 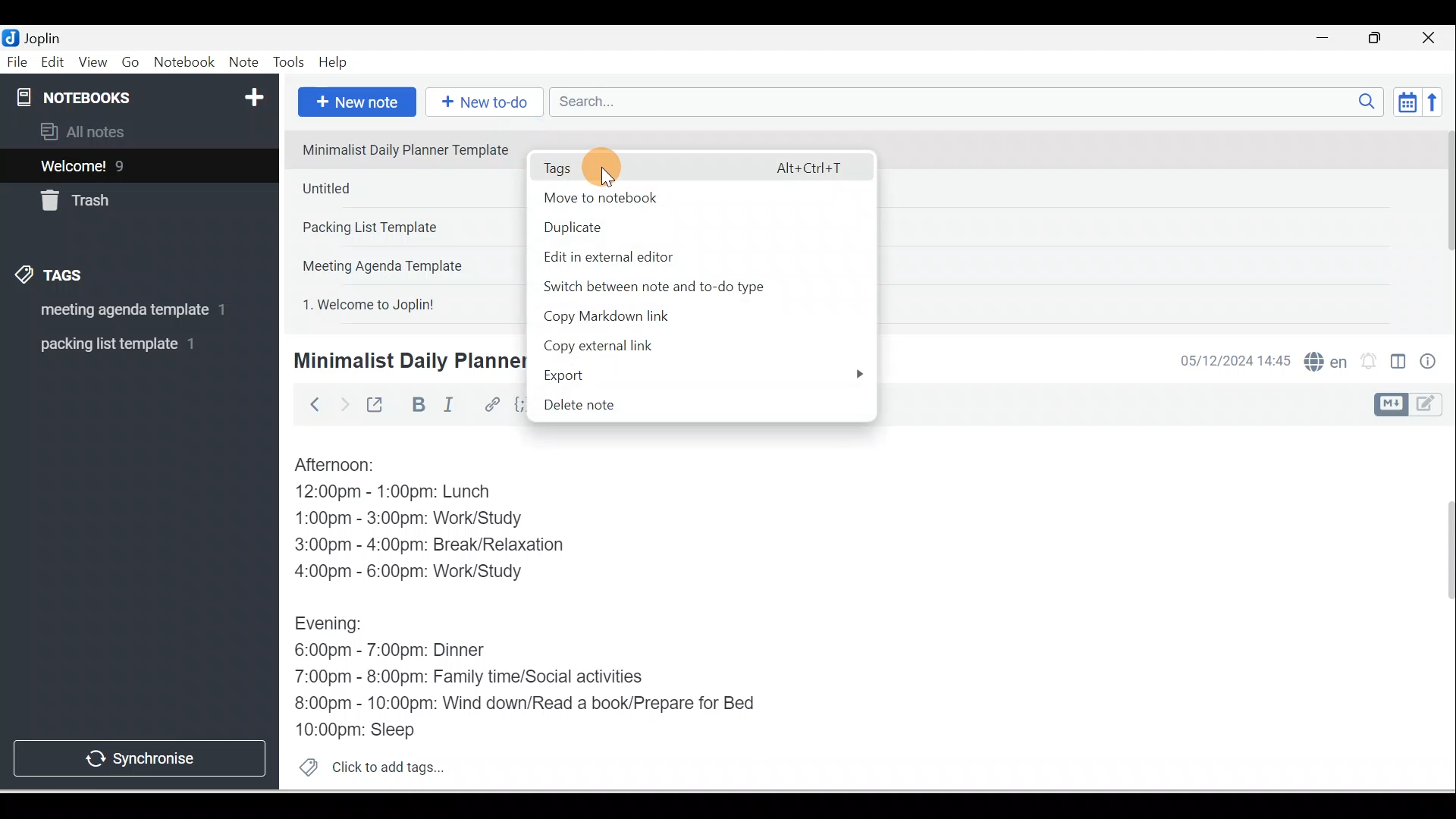 I want to click on Italic, so click(x=451, y=407).